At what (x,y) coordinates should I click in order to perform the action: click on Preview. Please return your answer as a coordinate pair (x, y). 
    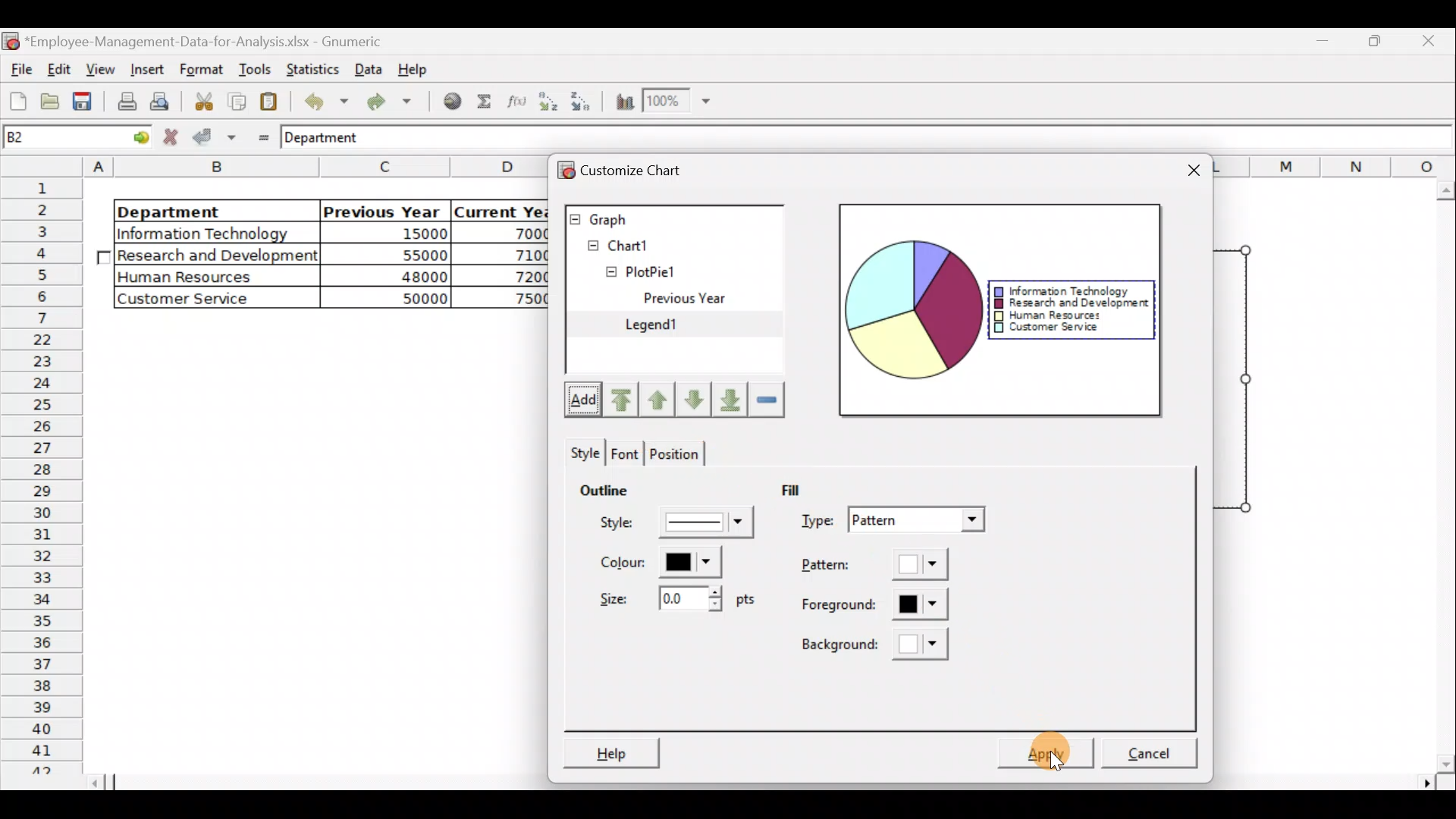
    Looking at the image, I should click on (911, 311).